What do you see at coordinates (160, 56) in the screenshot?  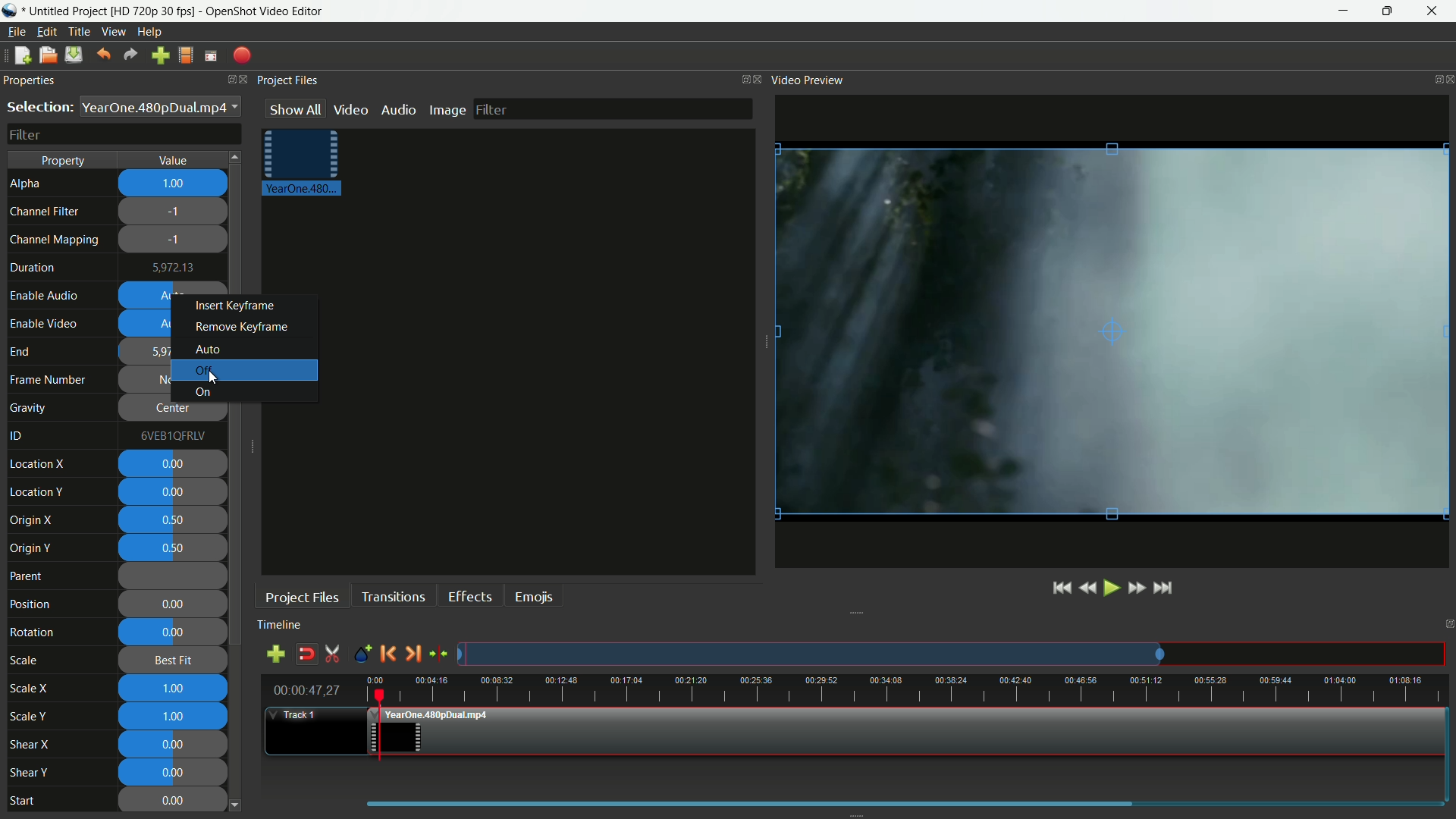 I see `import file` at bounding box center [160, 56].